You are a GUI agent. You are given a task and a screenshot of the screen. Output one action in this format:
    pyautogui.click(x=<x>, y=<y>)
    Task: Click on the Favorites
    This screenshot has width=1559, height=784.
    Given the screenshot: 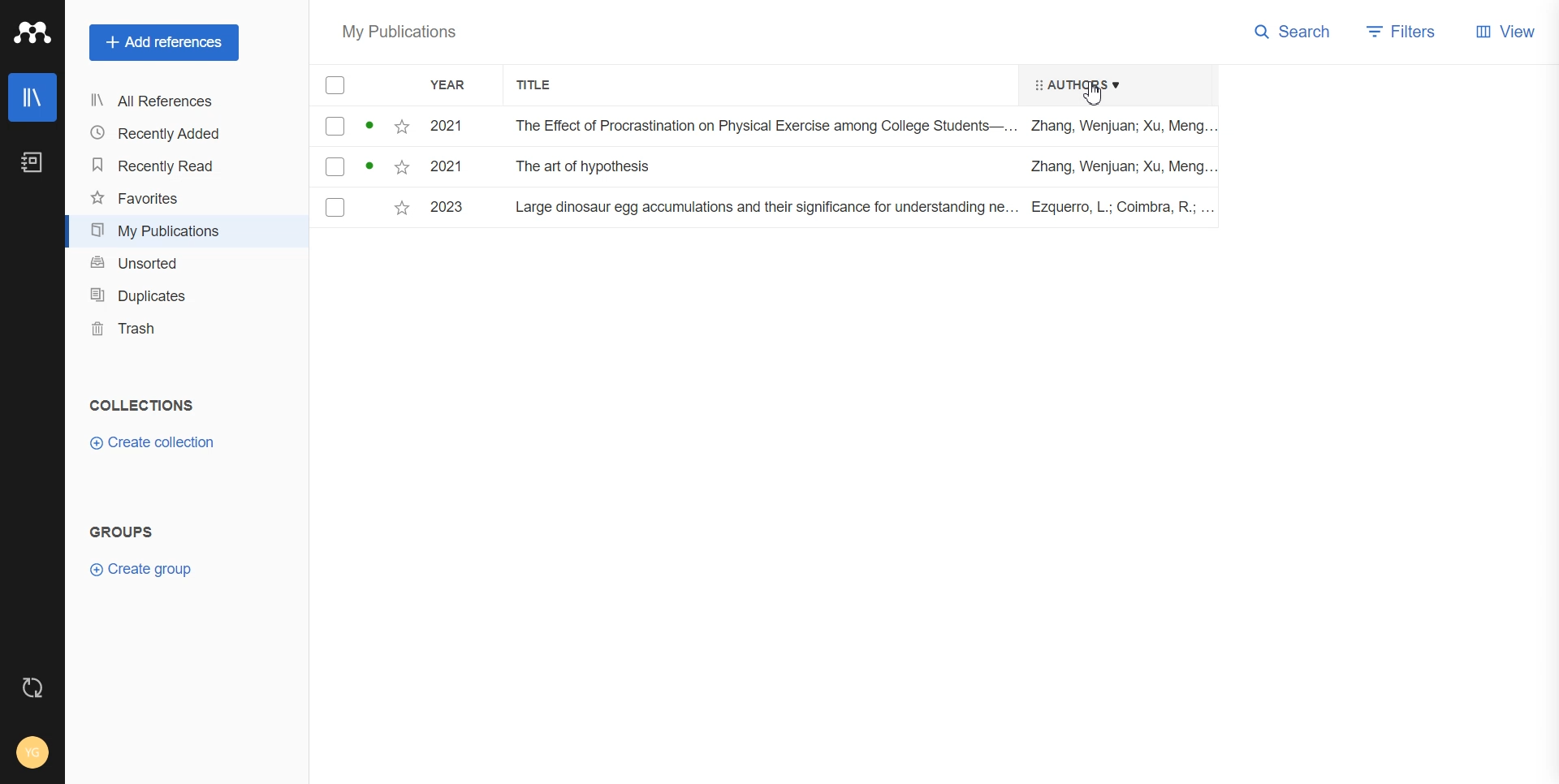 What is the action you would take?
    pyautogui.click(x=399, y=209)
    